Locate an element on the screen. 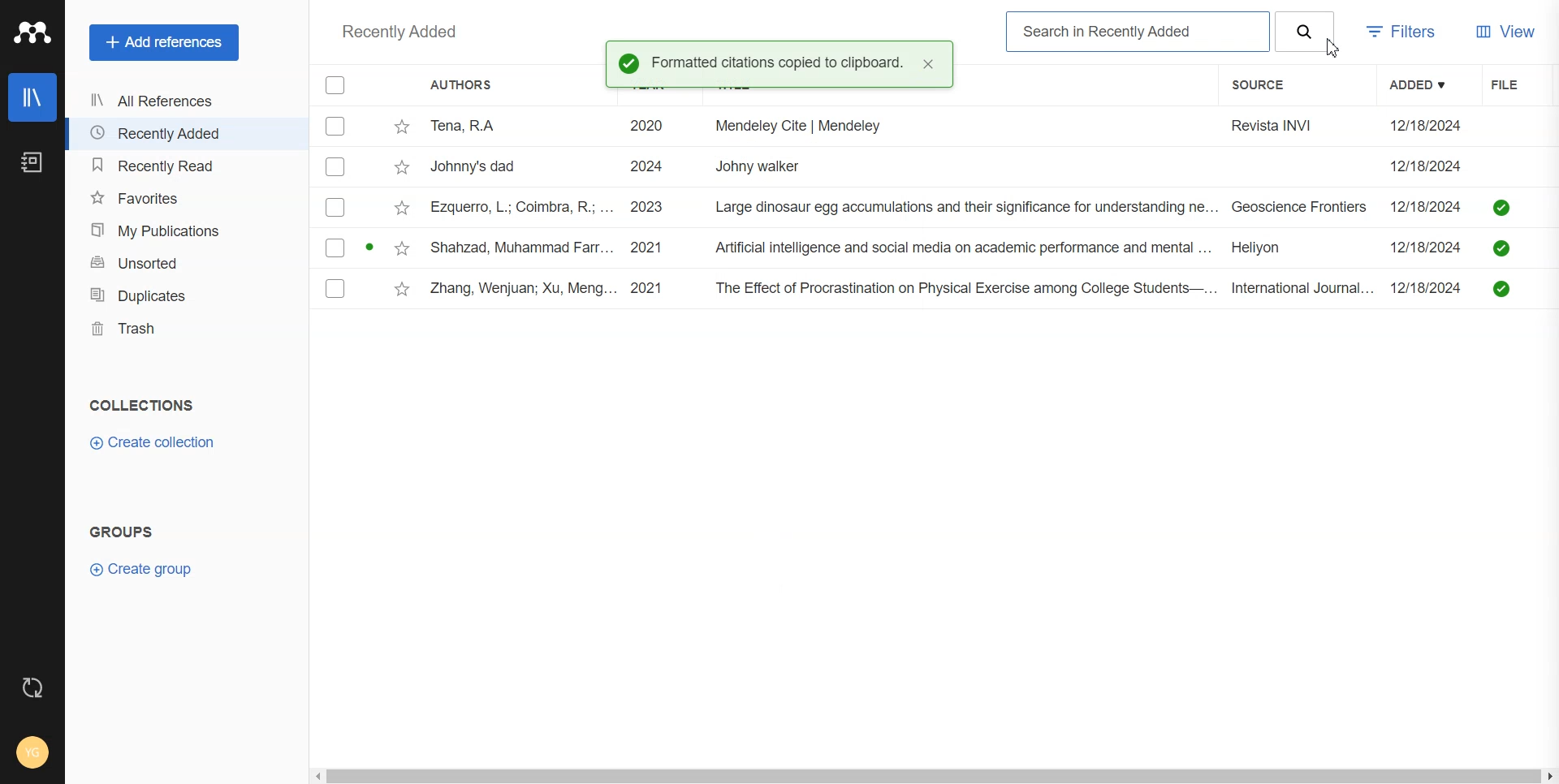 The width and height of the screenshot is (1559, 784). saved is located at coordinates (1502, 207).